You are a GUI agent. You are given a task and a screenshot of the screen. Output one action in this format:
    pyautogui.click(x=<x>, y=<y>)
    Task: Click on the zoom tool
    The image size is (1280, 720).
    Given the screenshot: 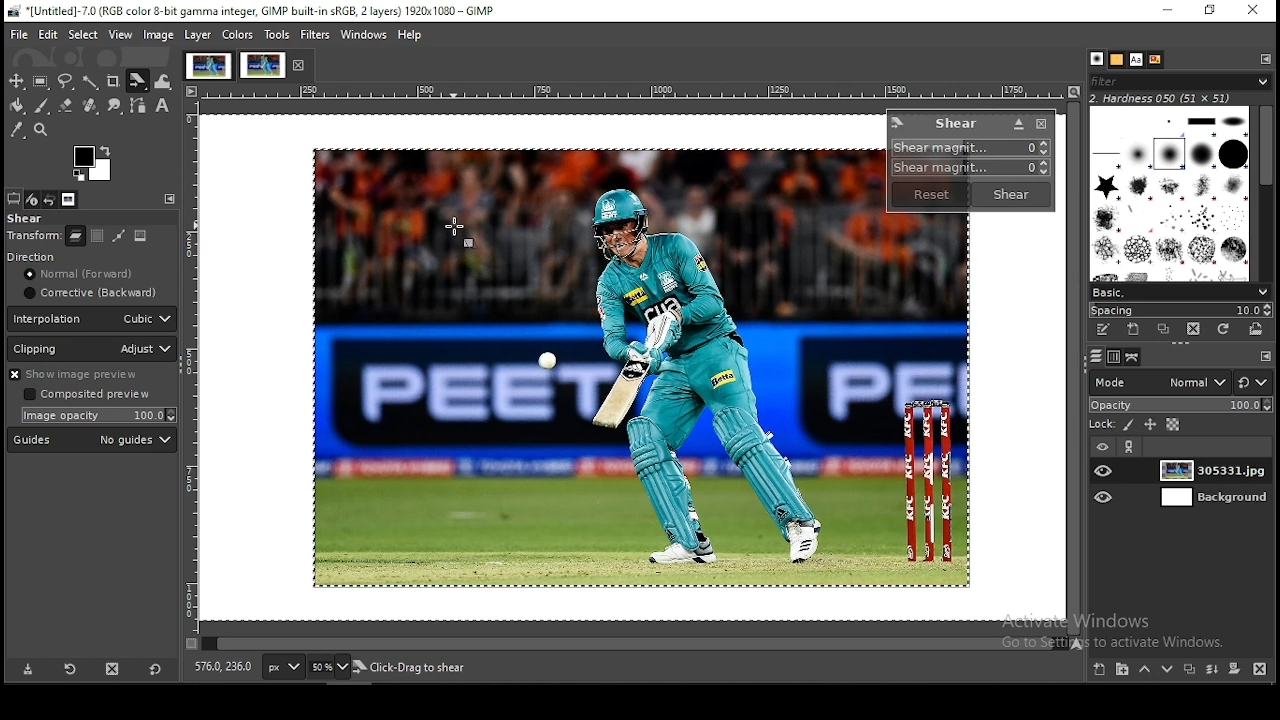 What is the action you would take?
    pyautogui.click(x=42, y=132)
    